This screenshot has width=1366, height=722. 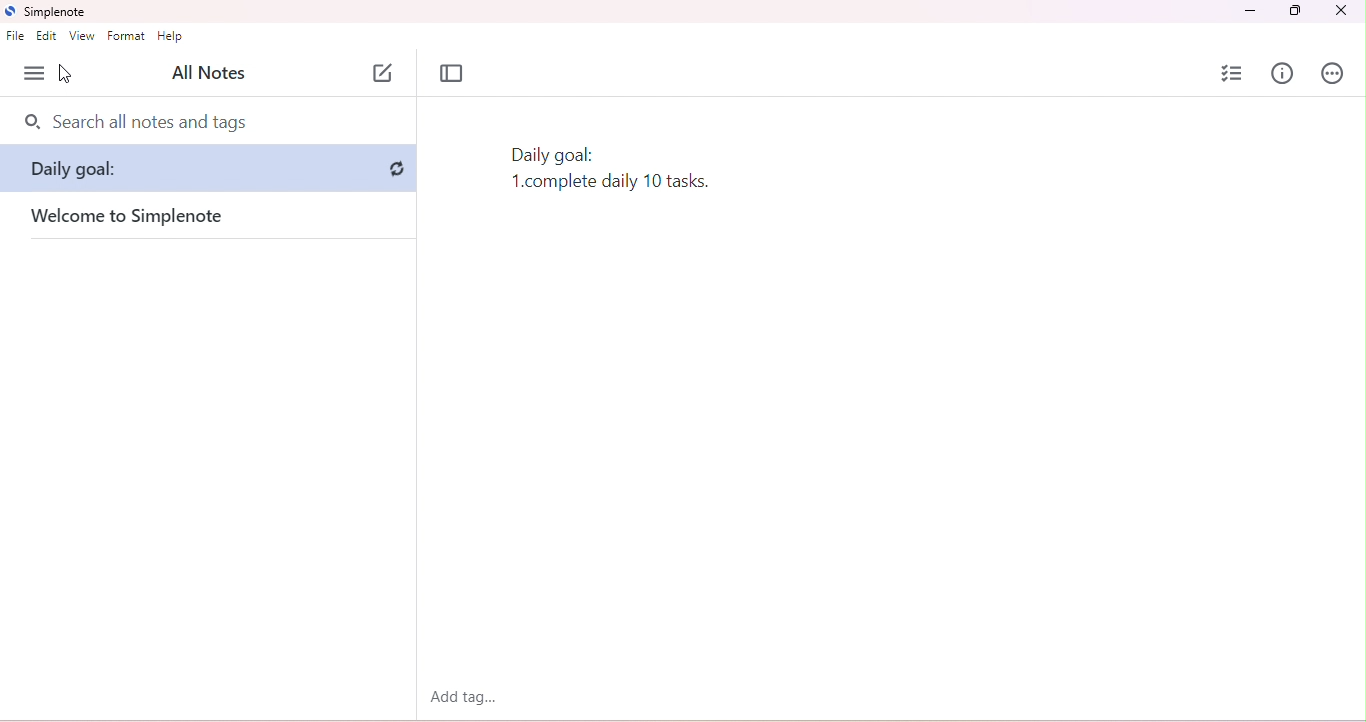 I want to click on simplenote, so click(x=55, y=13).